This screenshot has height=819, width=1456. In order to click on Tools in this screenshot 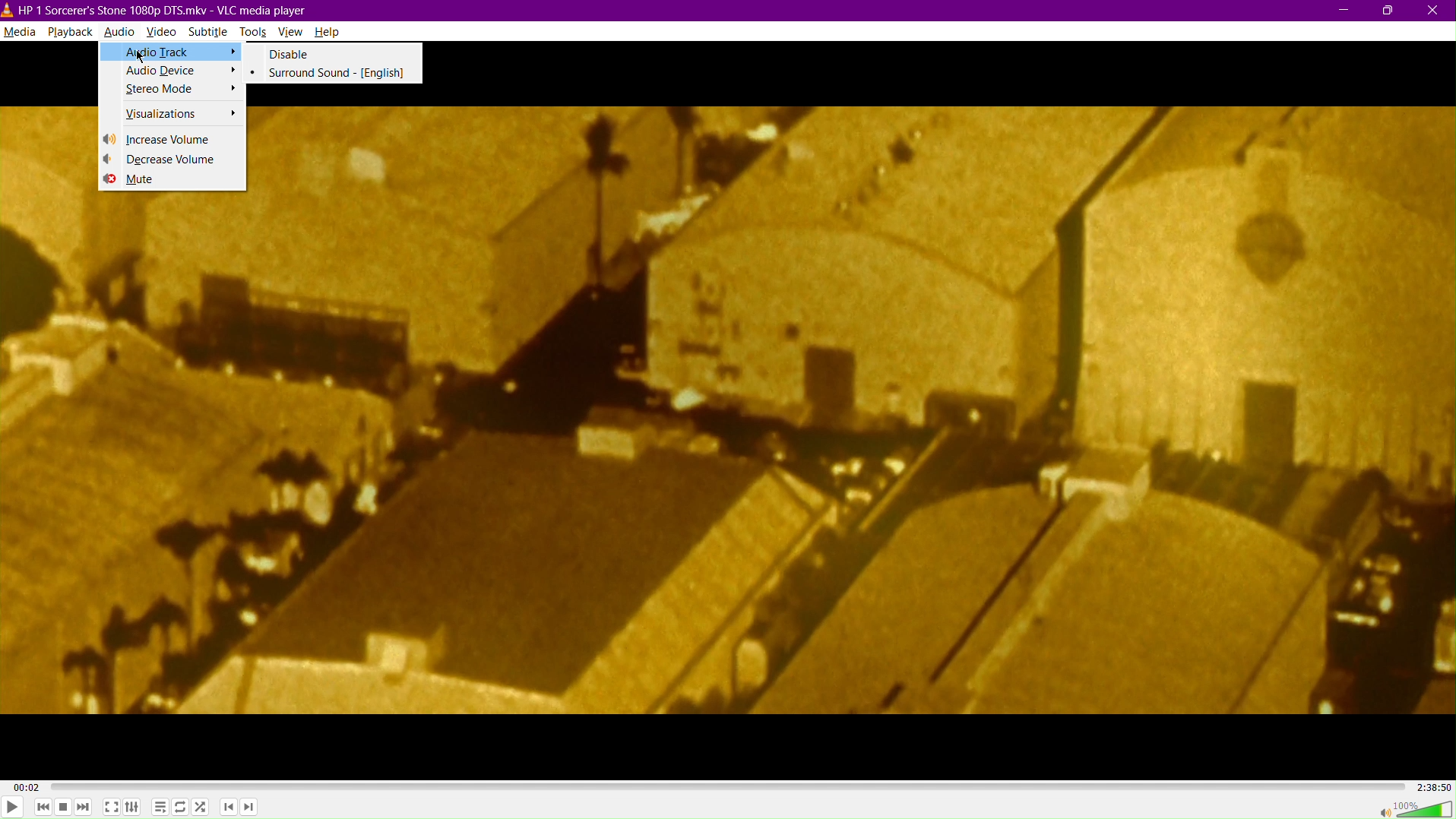, I will do `click(255, 33)`.